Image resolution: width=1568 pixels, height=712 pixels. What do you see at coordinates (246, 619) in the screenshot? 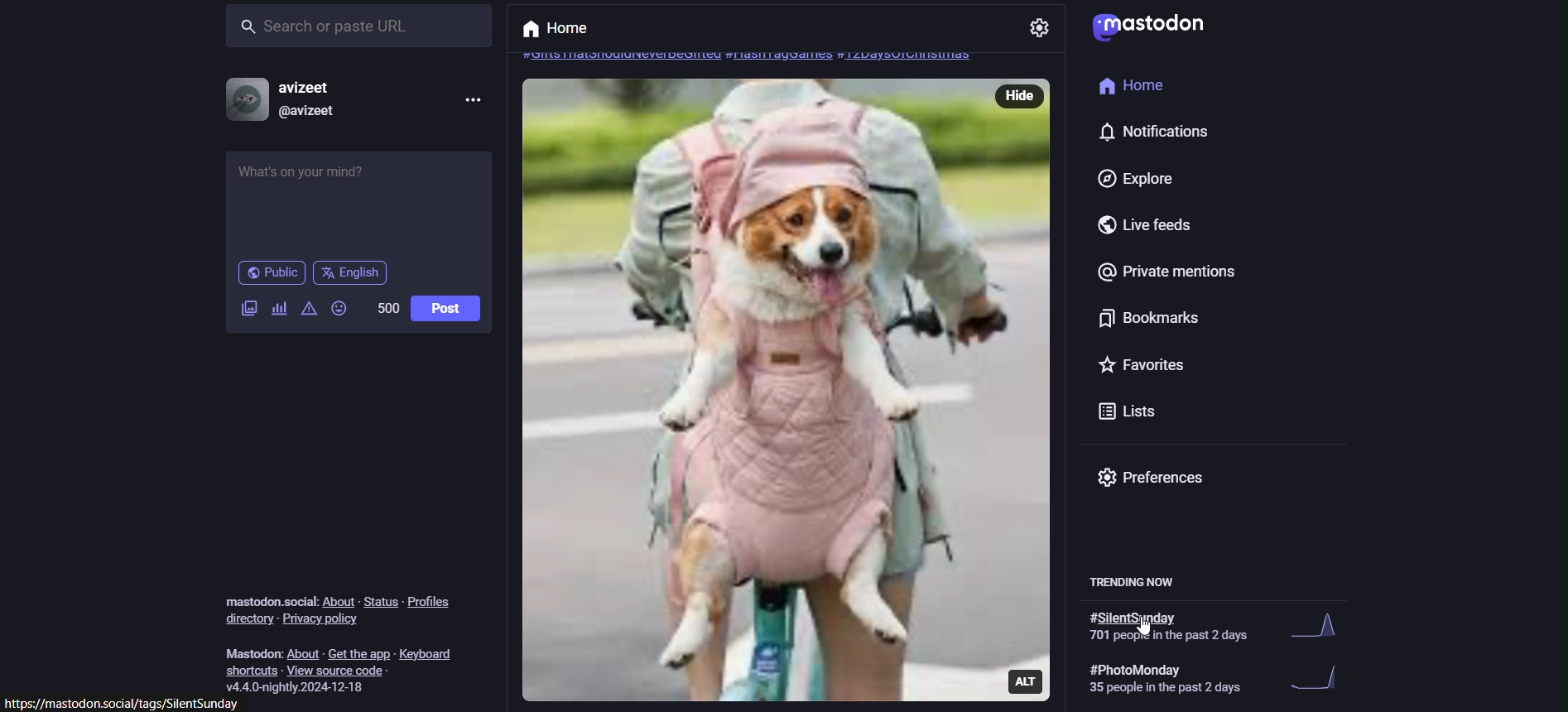
I see `directory` at bounding box center [246, 619].